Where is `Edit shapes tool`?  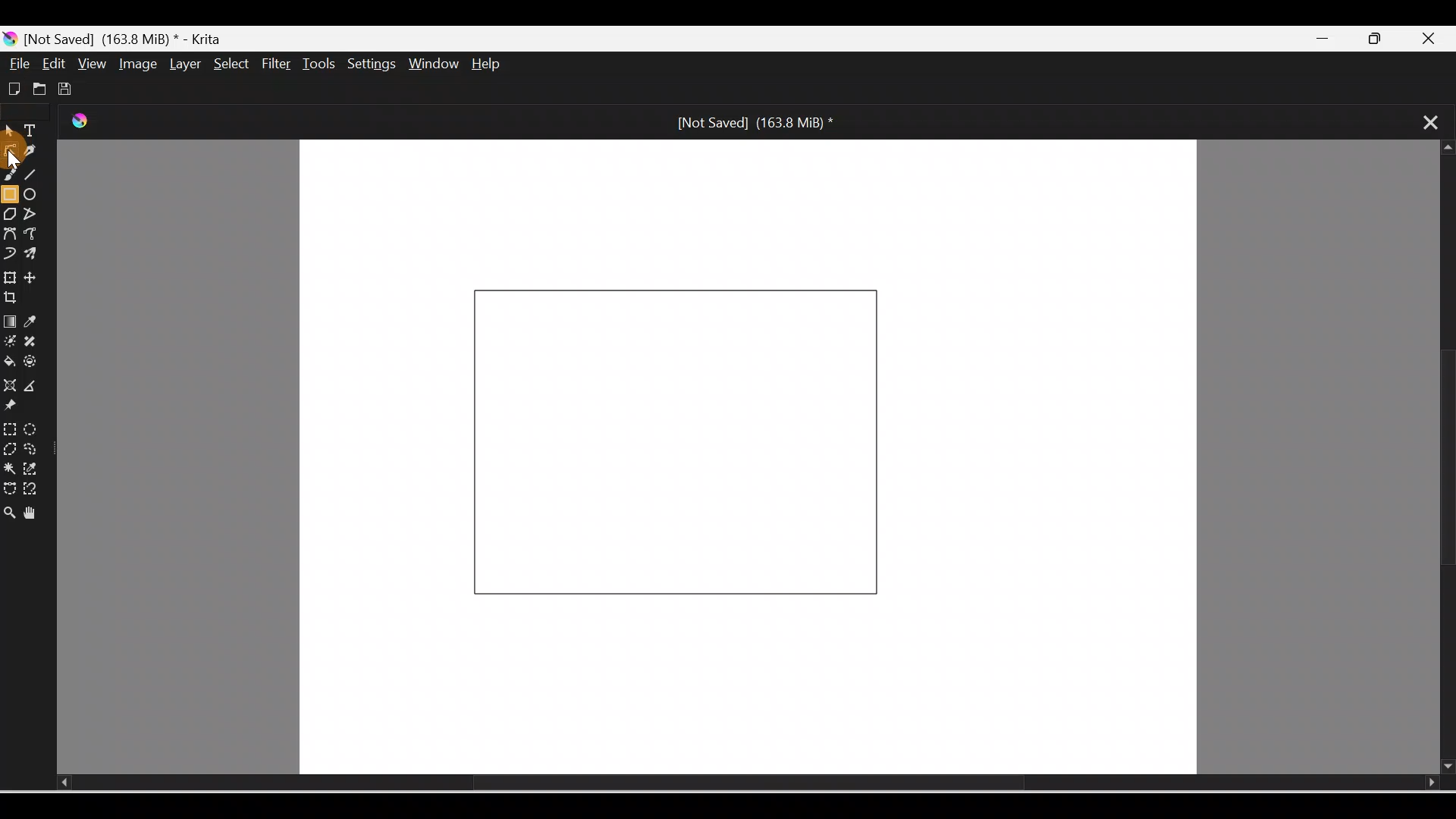
Edit shapes tool is located at coordinates (9, 155).